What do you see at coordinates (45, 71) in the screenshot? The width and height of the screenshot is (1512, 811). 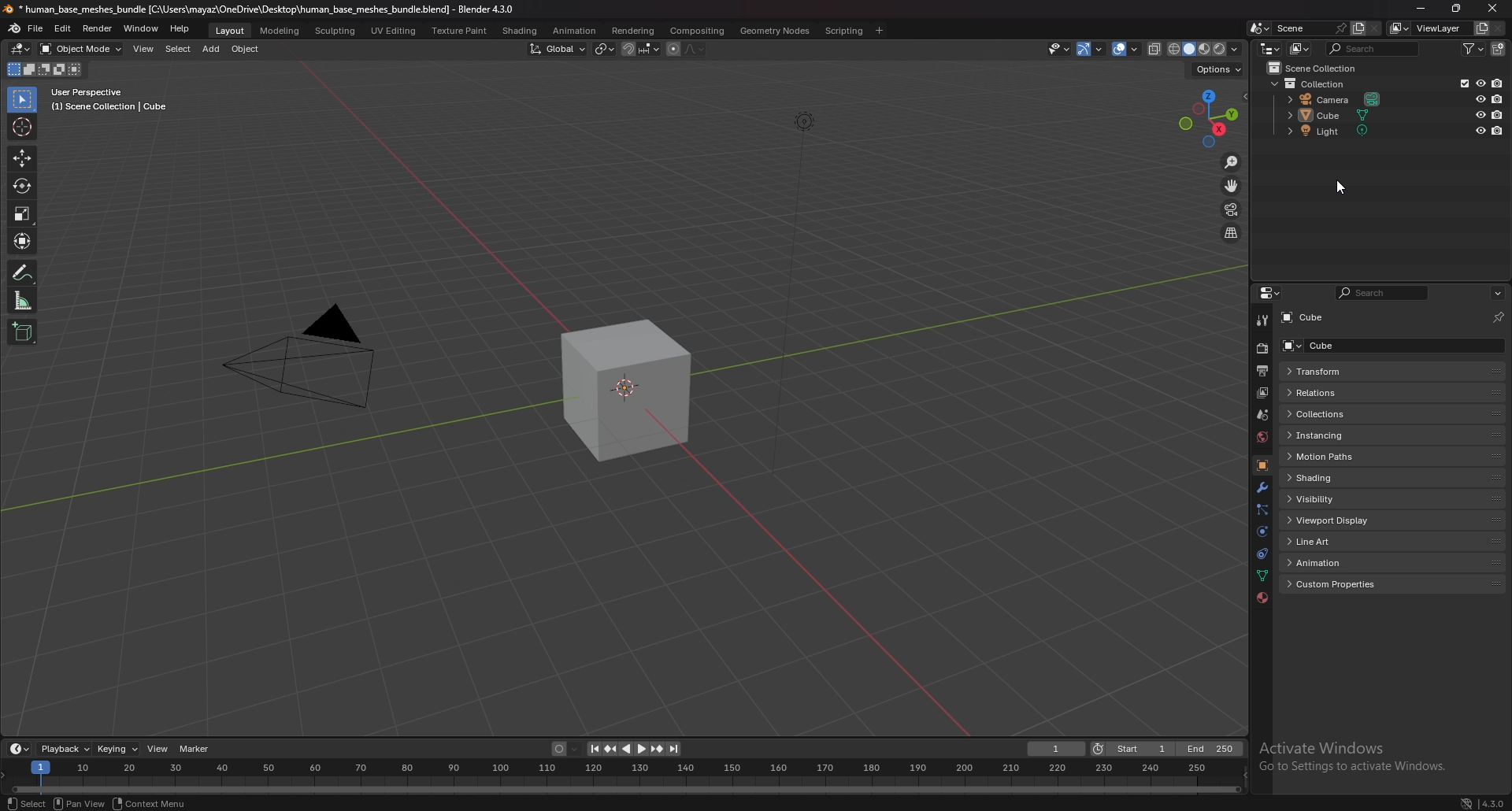 I see `mode` at bounding box center [45, 71].